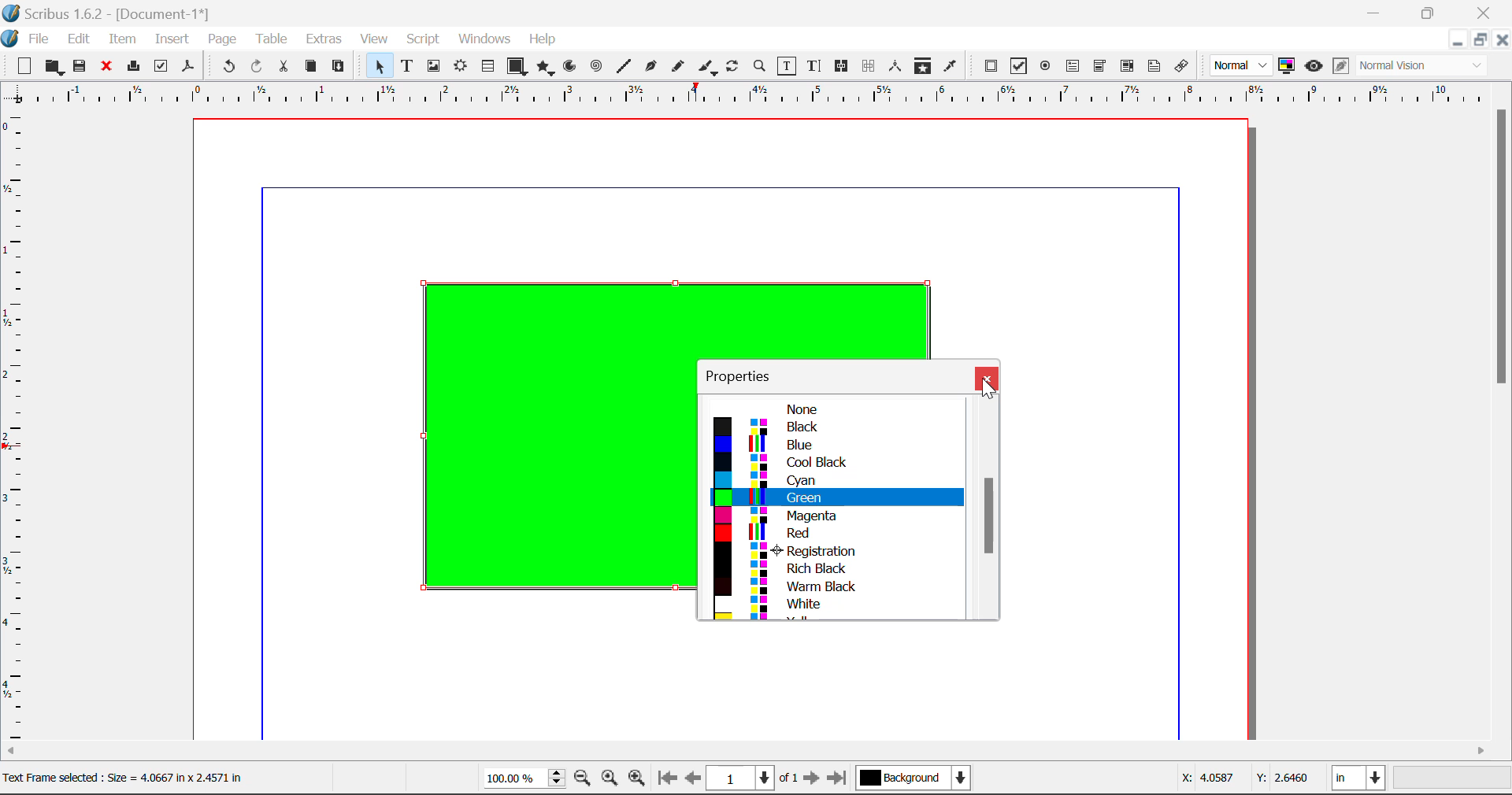 The height and width of the screenshot is (795, 1512). What do you see at coordinates (226, 67) in the screenshot?
I see `Undo` at bounding box center [226, 67].